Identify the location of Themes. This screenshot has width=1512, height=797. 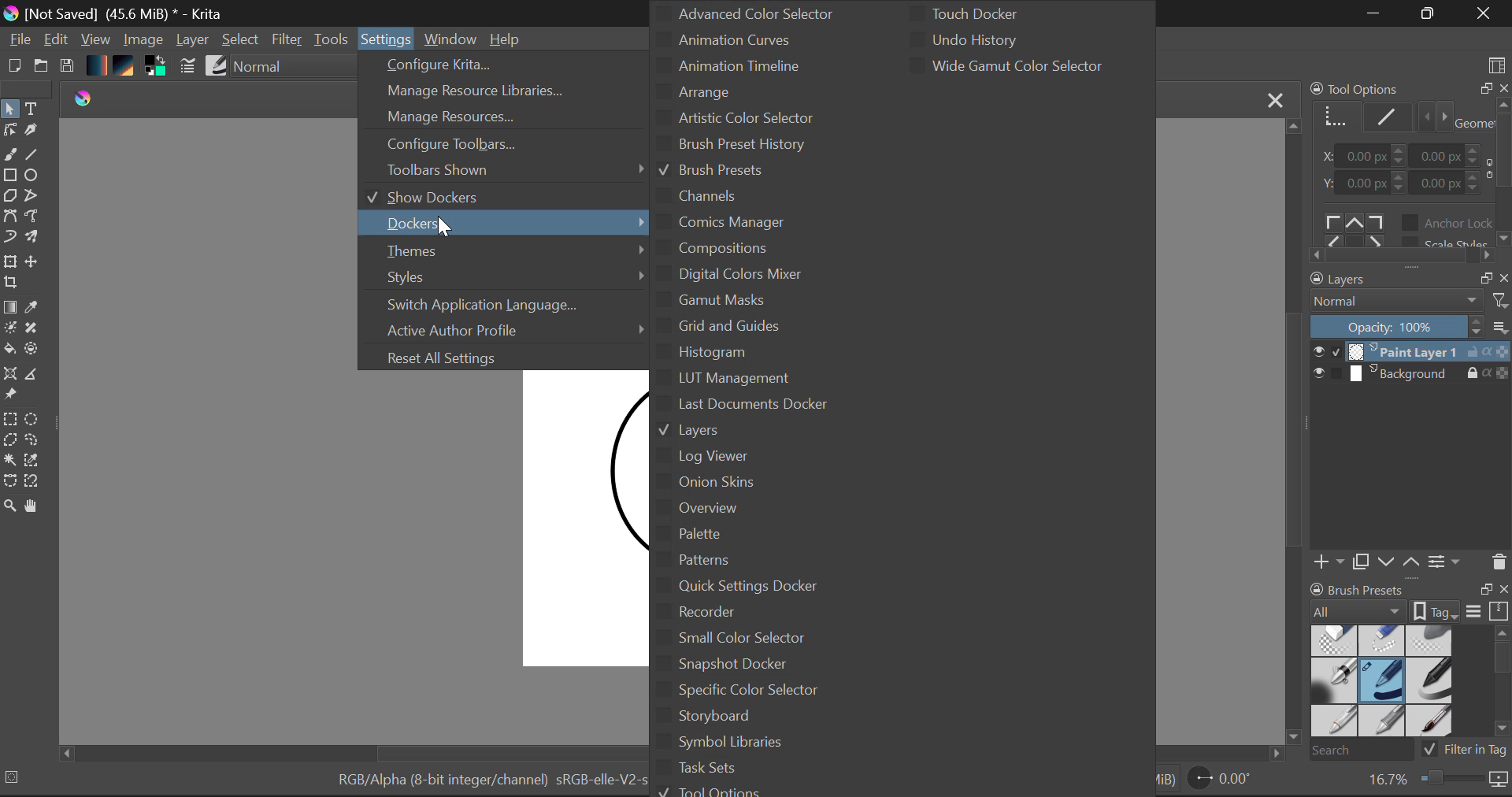
(501, 252).